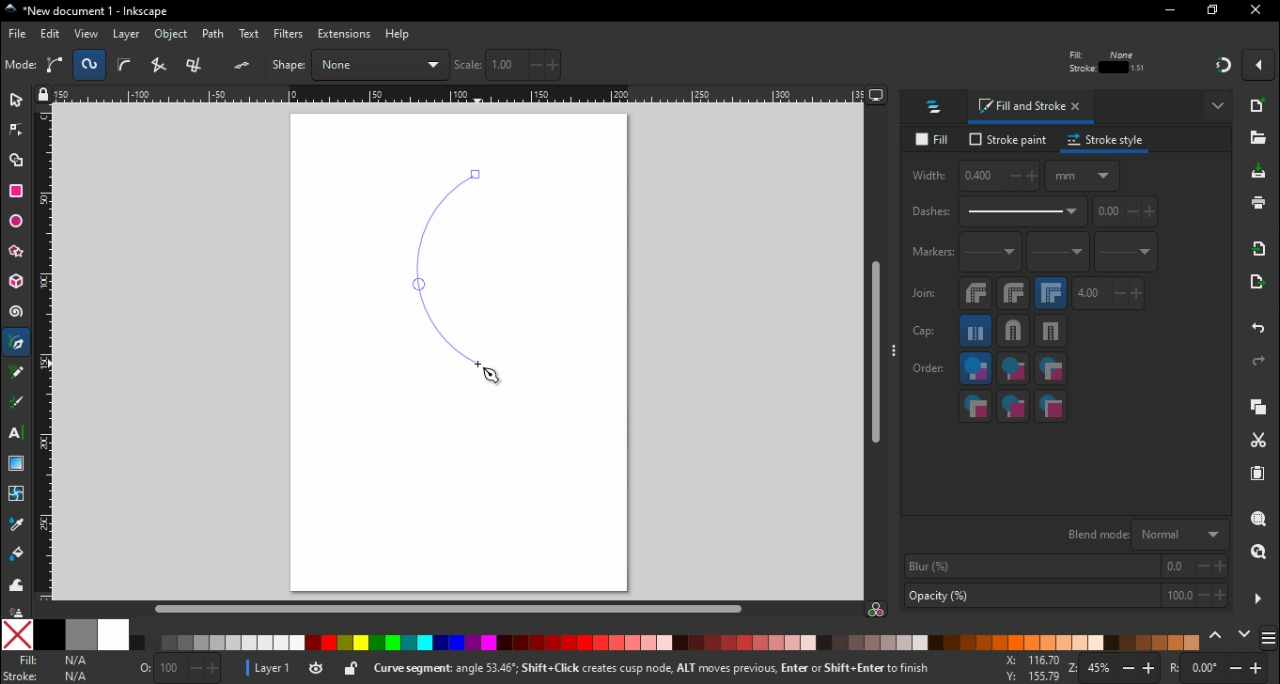 The image size is (1280, 684). Describe the element at coordinates (343, 35) in the screenshot. I see `extensions` at that location.